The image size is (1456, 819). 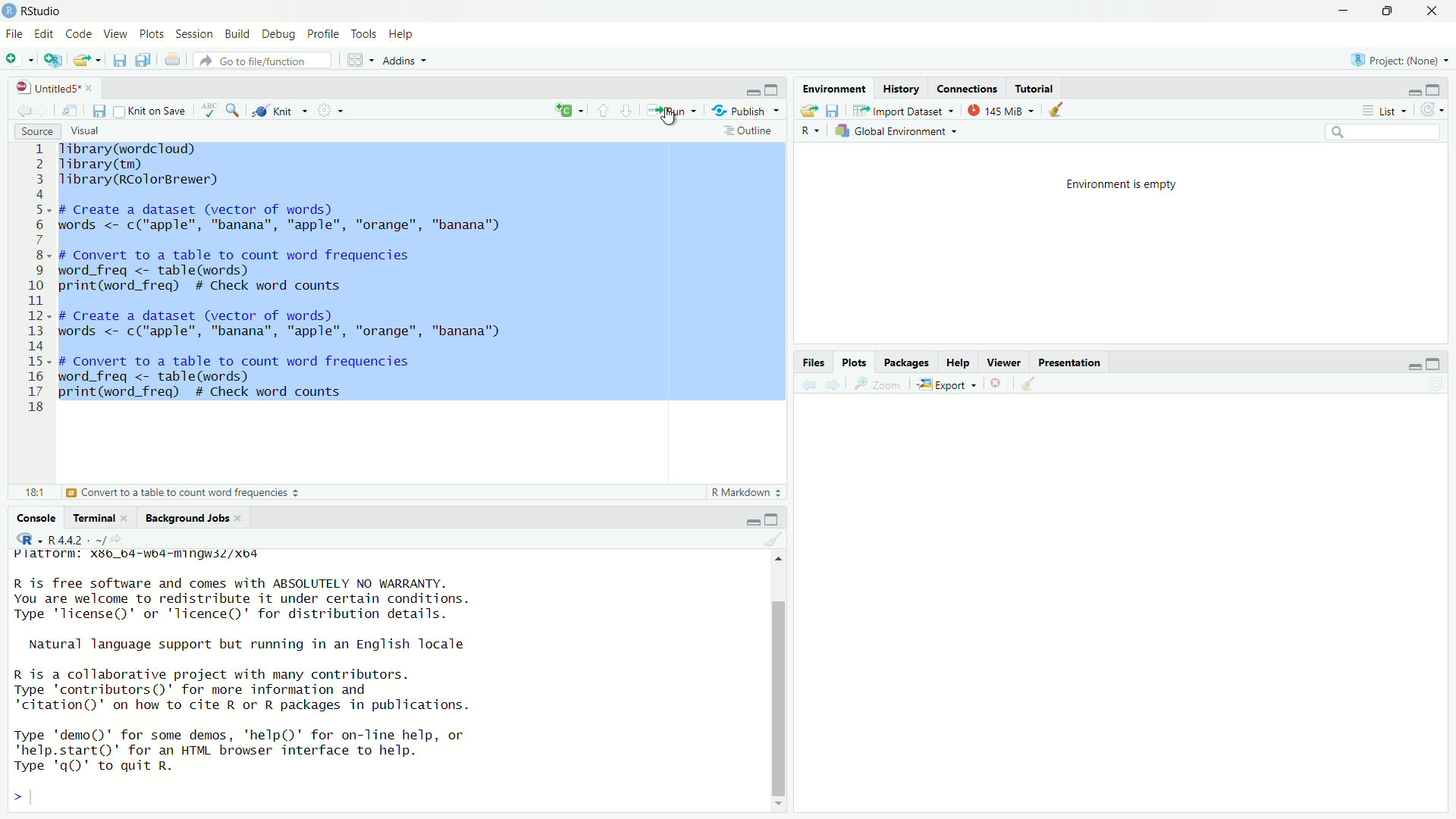 What do you see at coordinates (878, 384) in the screenshot?
I see `Zoom` at bounding box center [878, 384].